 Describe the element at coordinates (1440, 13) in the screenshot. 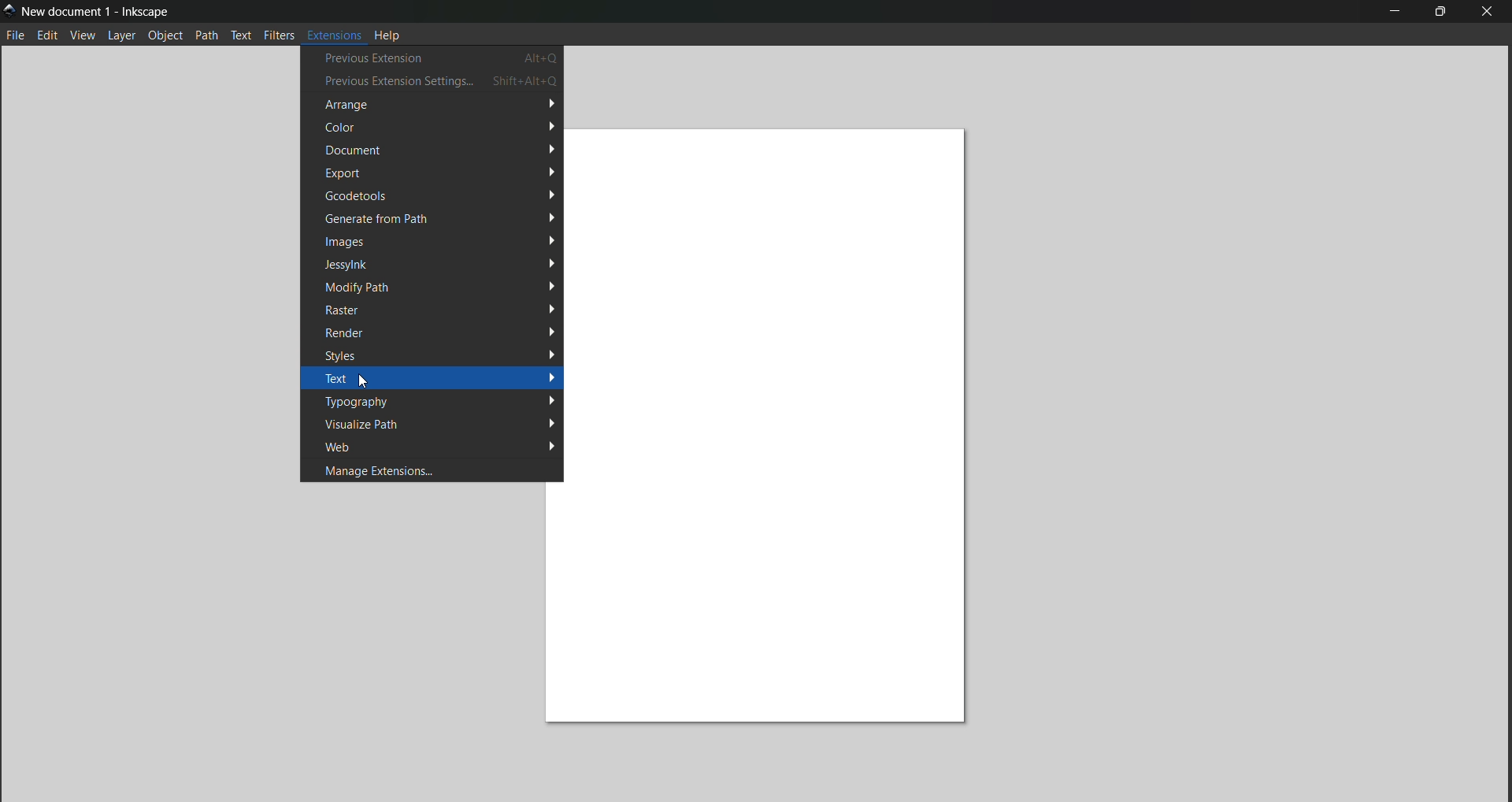

I see `maximize` at that location.